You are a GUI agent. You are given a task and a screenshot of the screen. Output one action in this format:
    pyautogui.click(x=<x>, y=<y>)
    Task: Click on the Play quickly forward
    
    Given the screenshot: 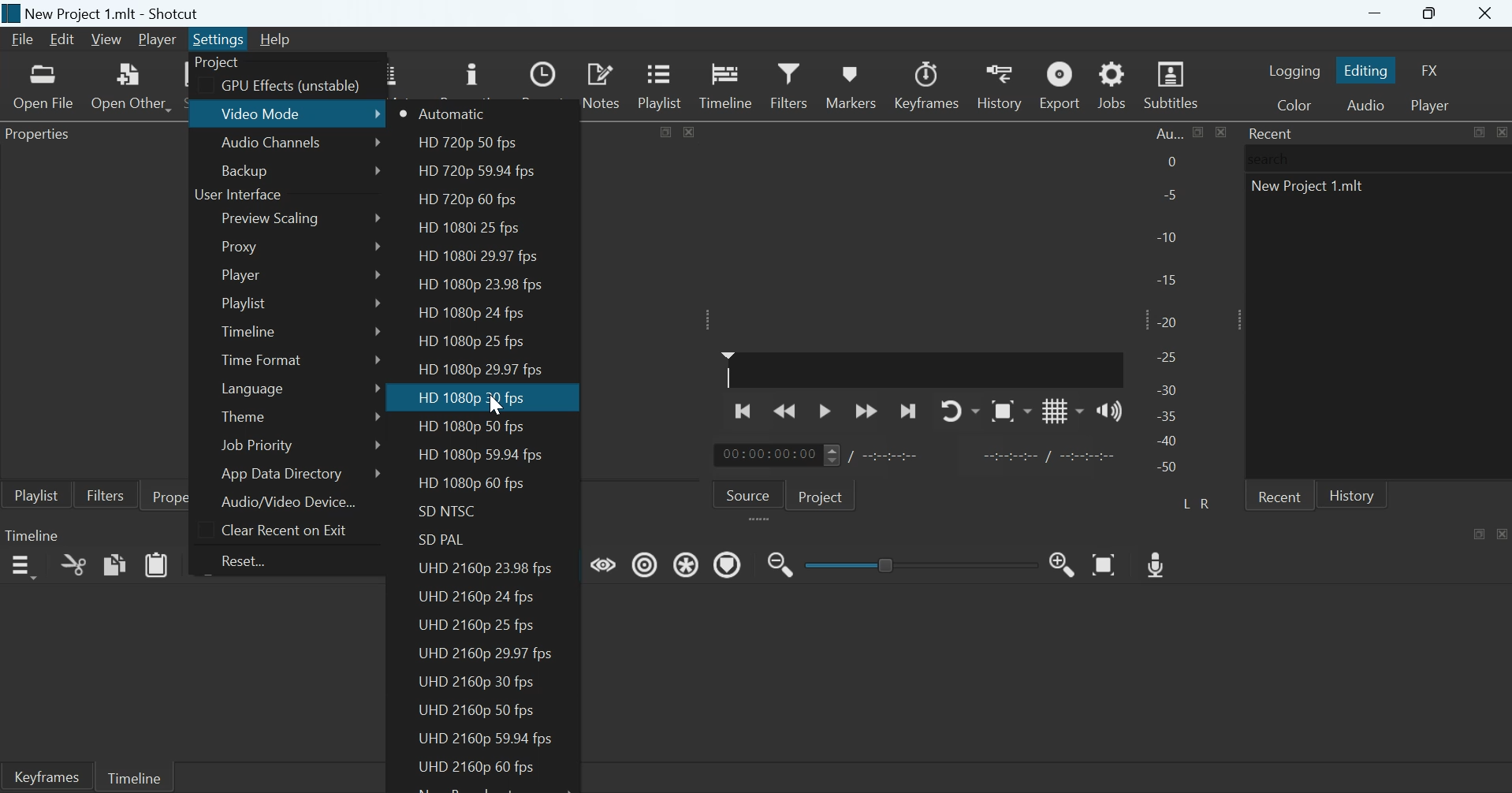 What is the action you would take?
    pyautogui.click(x=866, y=411)
    